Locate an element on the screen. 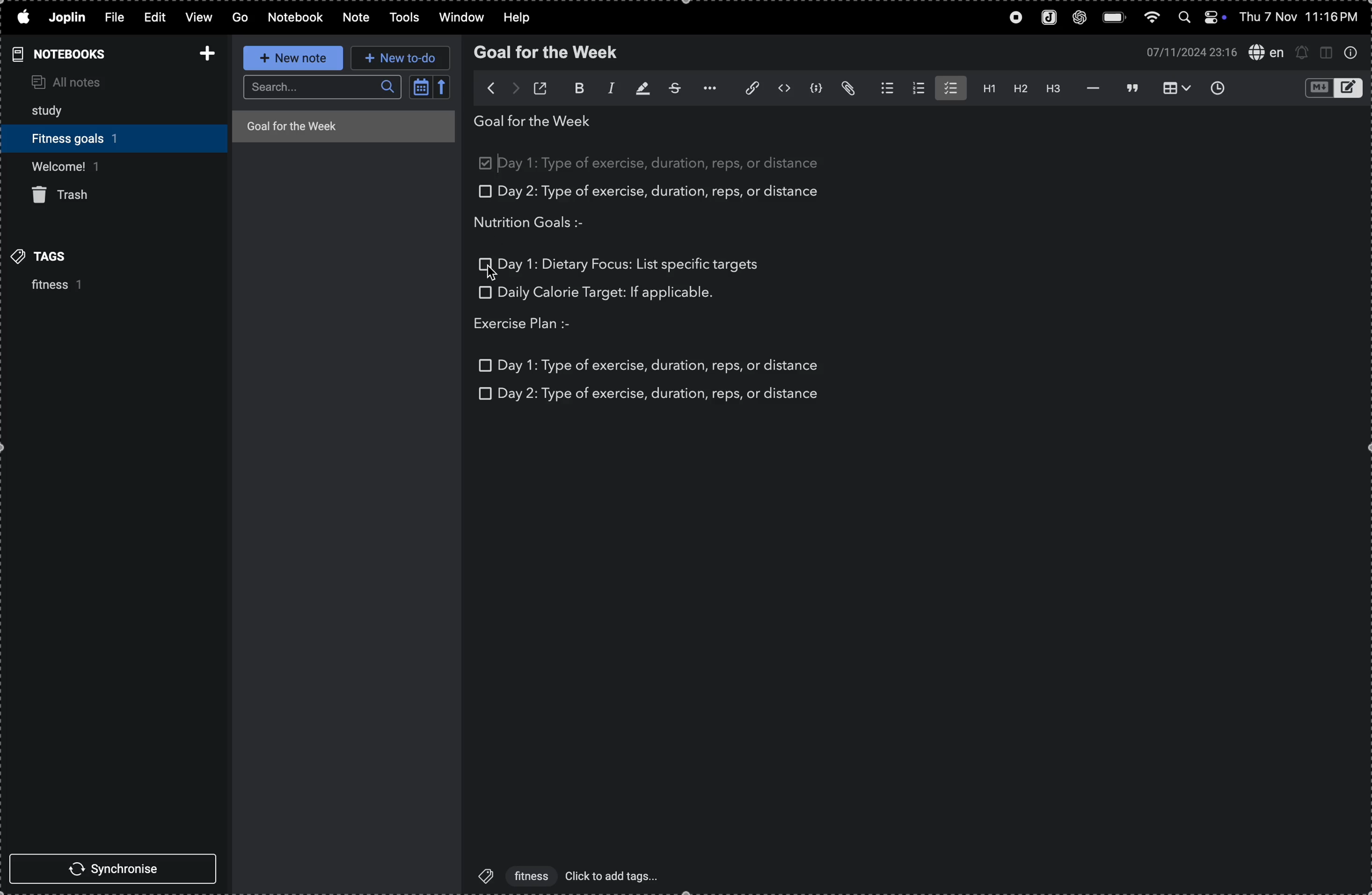  note is located at coordinates (355, 18).